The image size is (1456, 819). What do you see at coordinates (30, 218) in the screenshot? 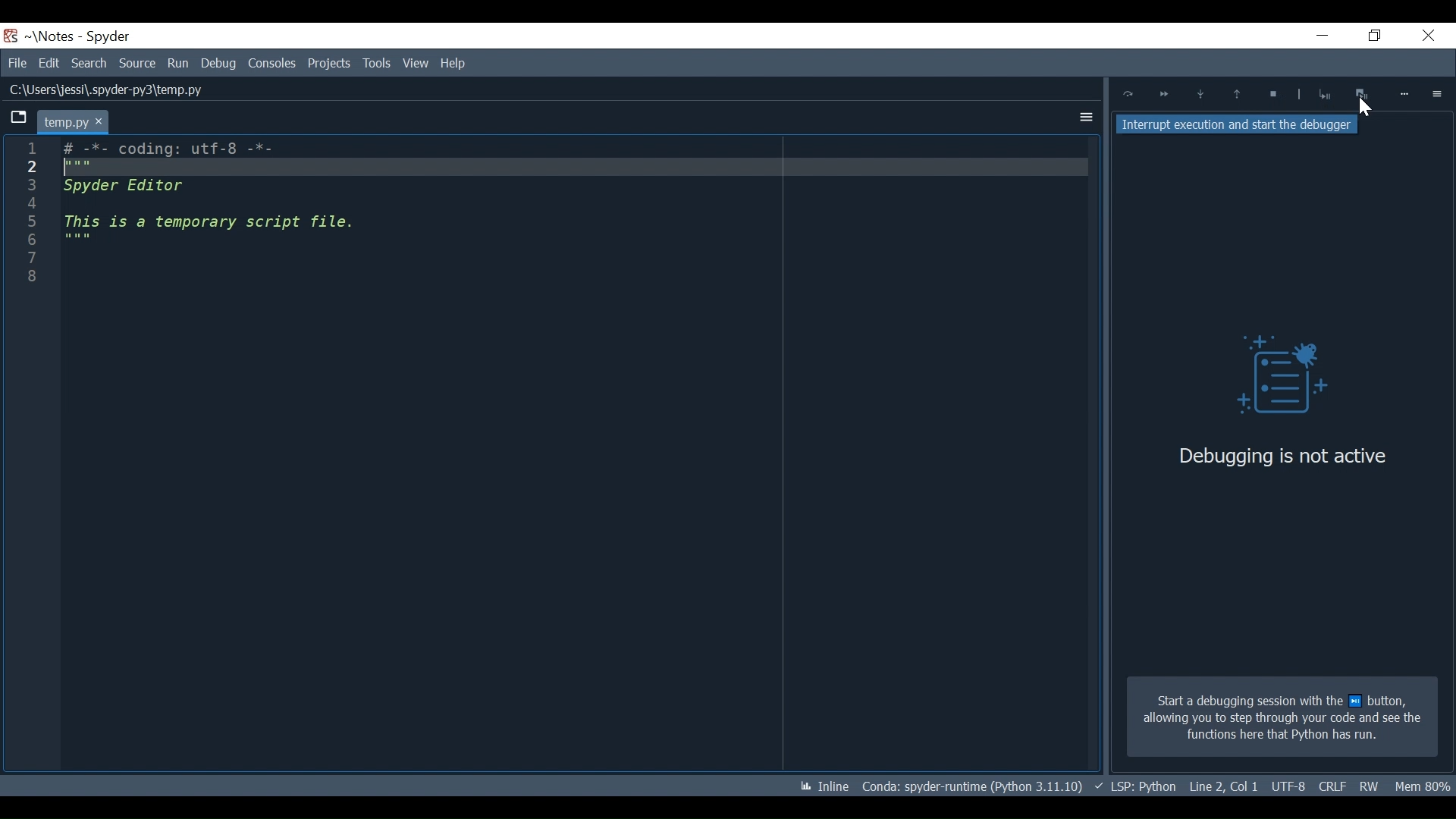
I see `1 2 3 4 5 6 7 8` at bounding box center [30, 218].